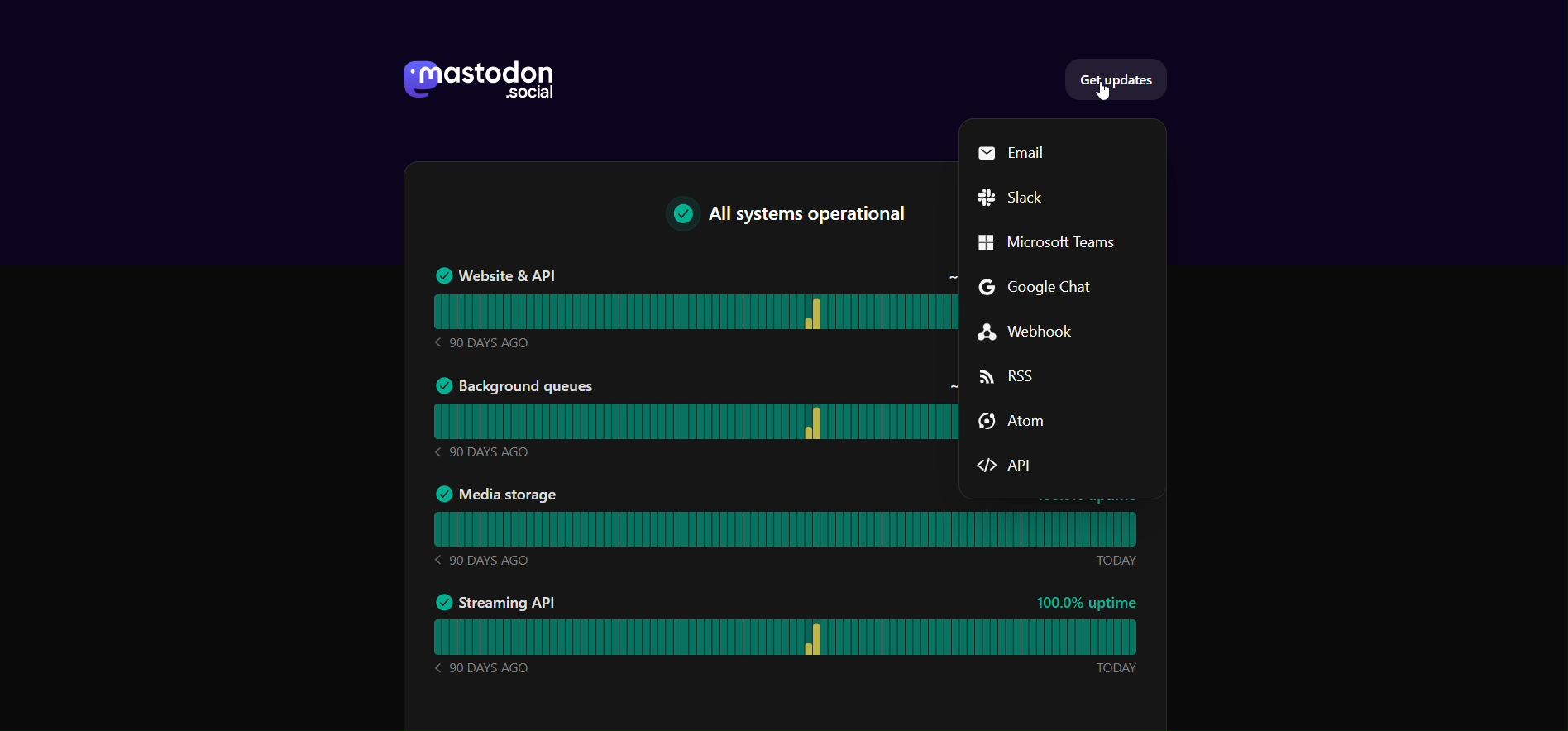  What do you see at coordinates (1097, 93) in the screenshot?
I see `cursor` at bounding box center [1097, 93].